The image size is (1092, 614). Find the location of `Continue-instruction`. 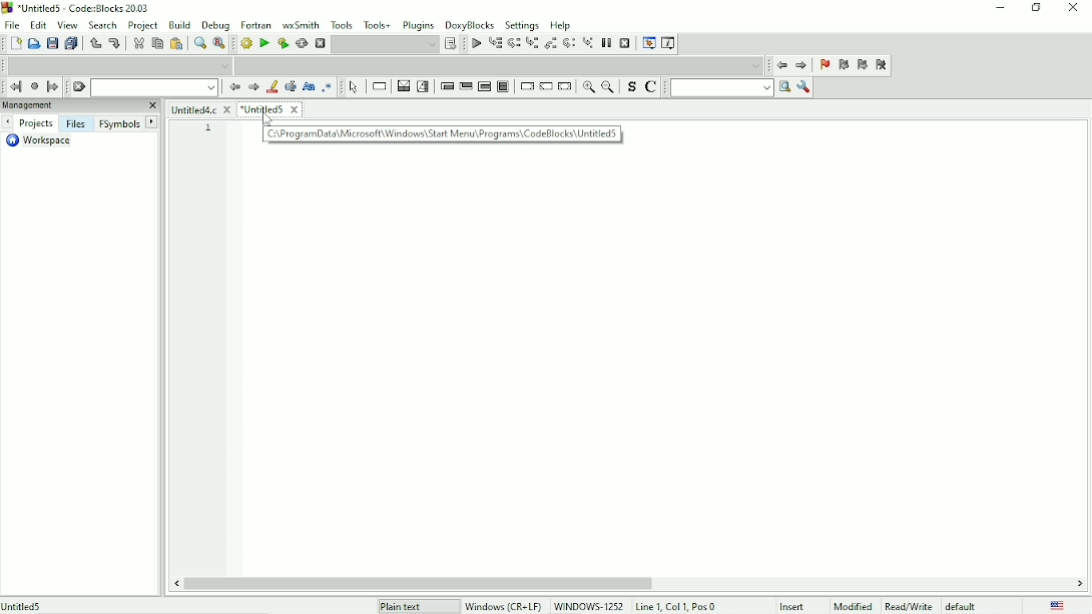

Continue-instruction is located at coordinates (546, 87).